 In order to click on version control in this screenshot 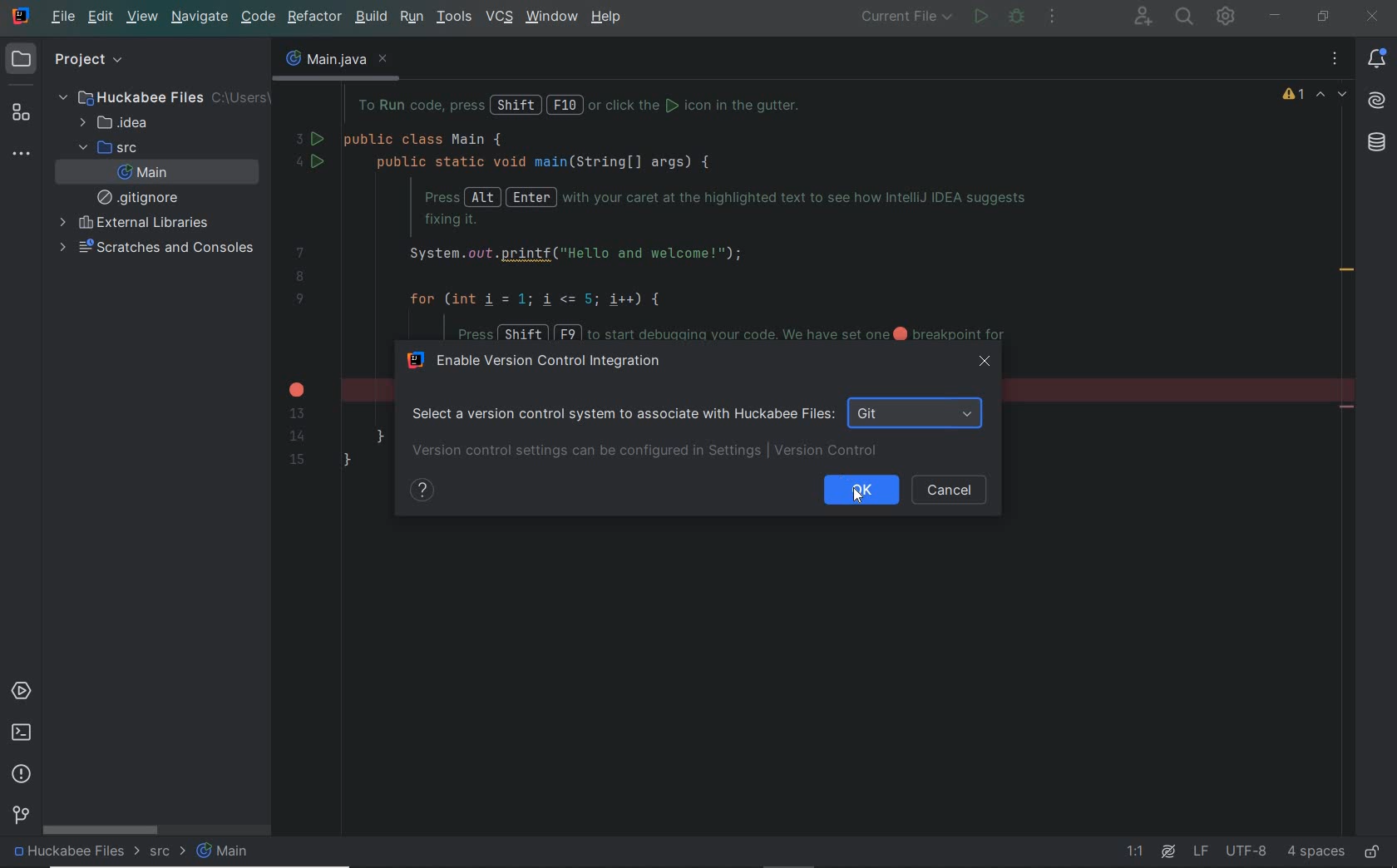, I will do `click(21, 816)`.